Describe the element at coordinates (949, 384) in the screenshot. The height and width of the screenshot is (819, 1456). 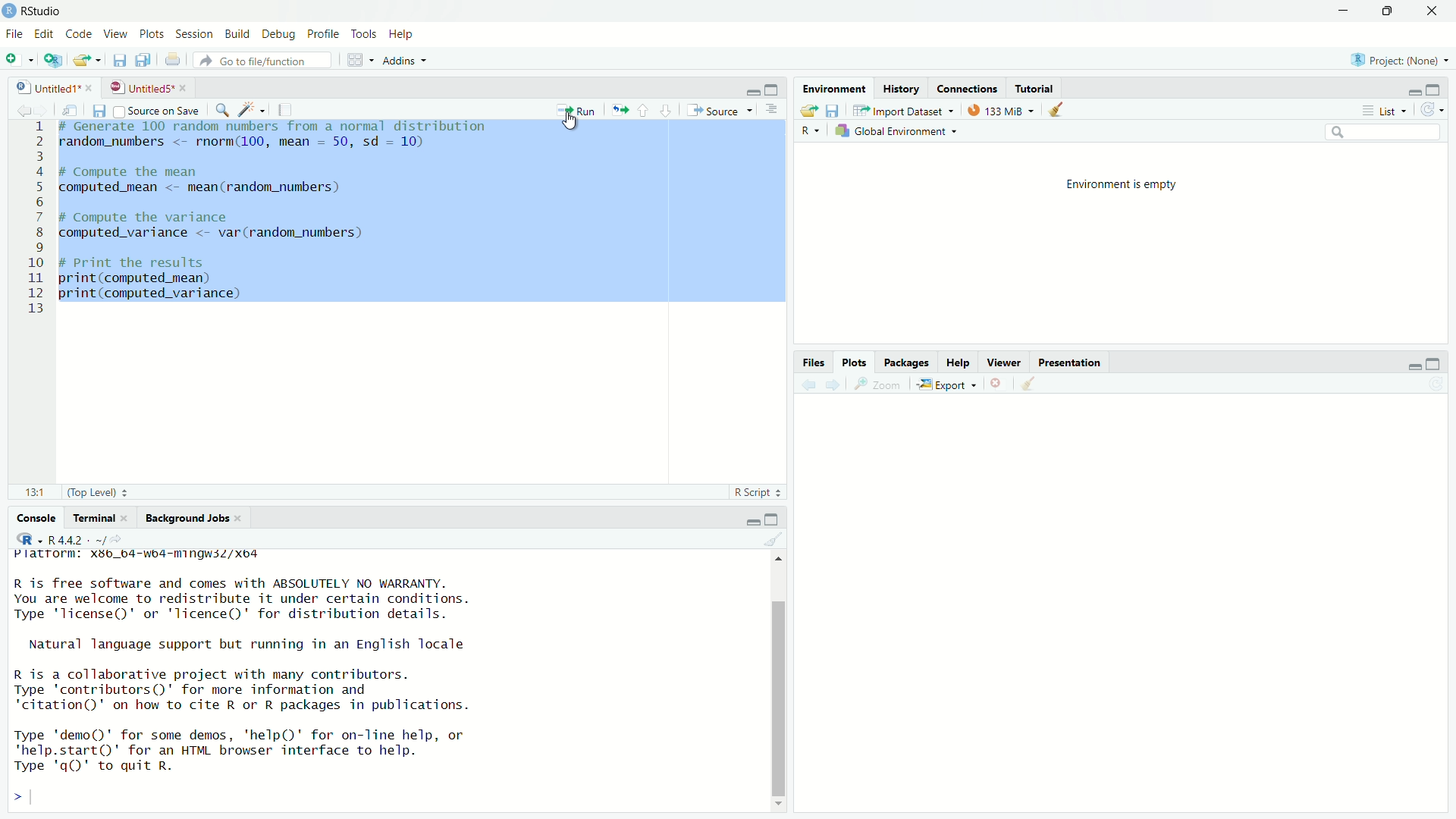
I see `export` at that location.